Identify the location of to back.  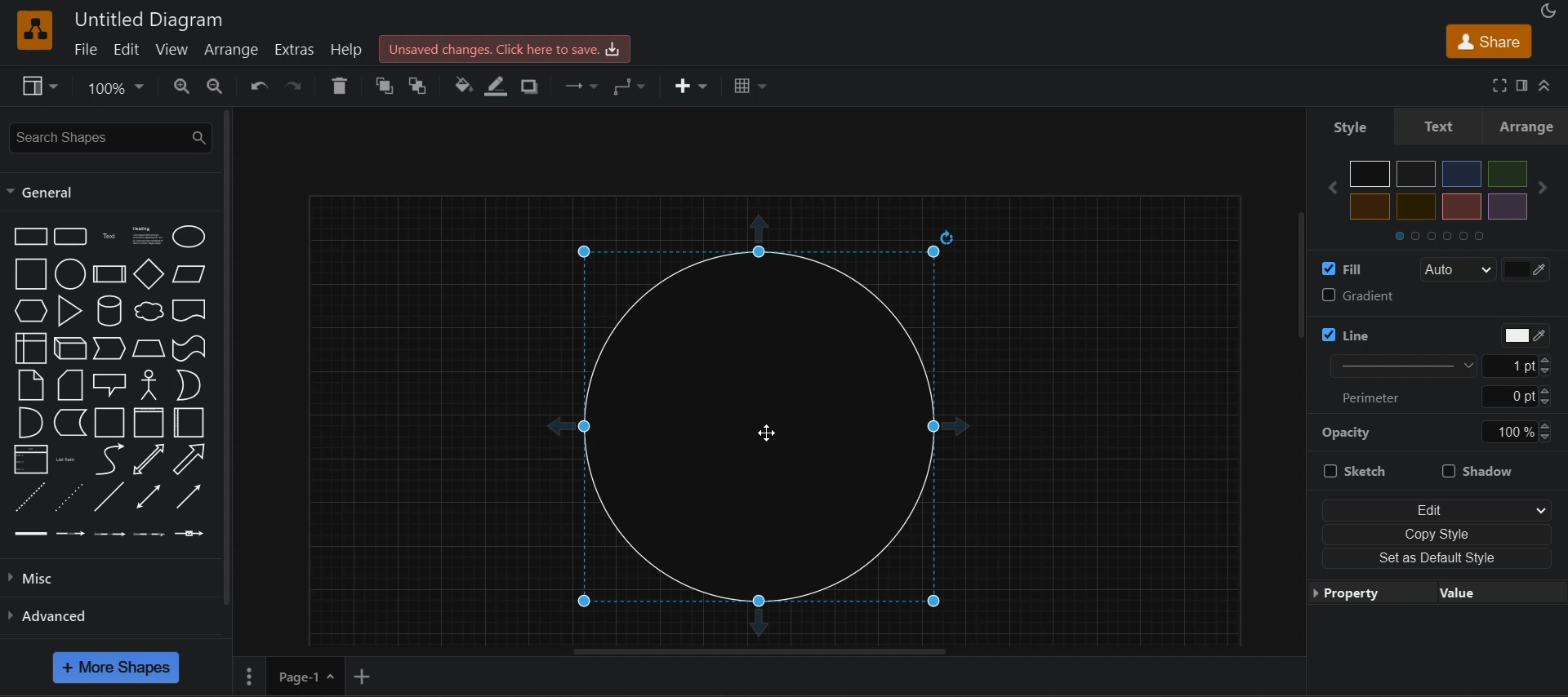
(419, 87).